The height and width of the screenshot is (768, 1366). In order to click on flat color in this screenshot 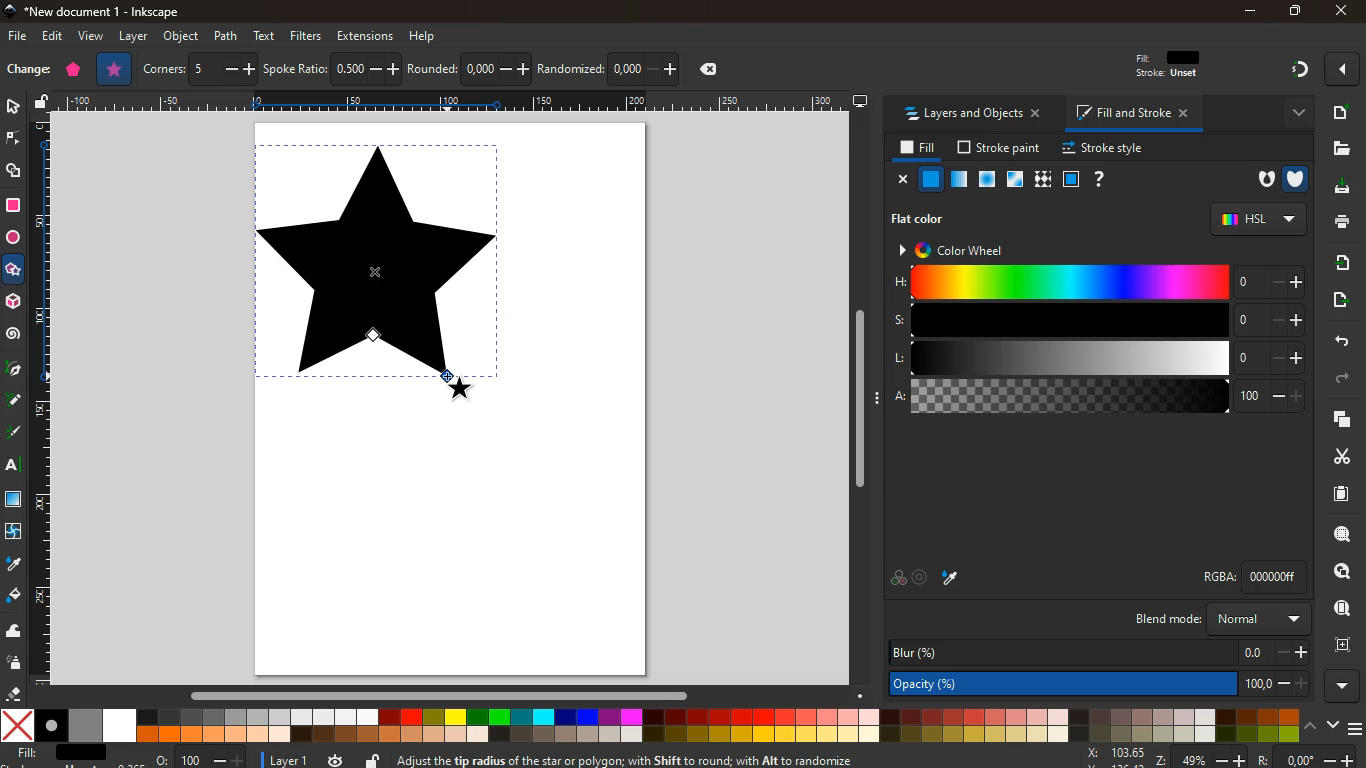, I will do `click(922, 221)`.